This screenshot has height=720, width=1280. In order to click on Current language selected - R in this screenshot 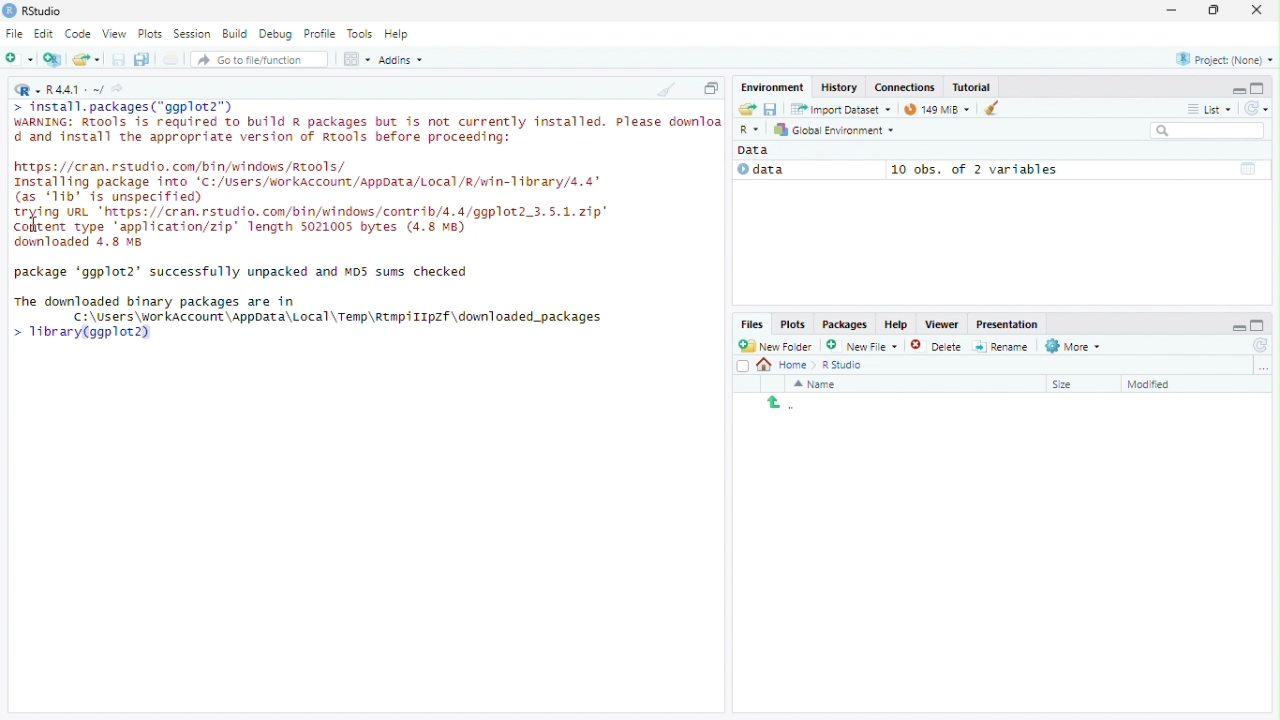, I will do `click(25, 89)`.